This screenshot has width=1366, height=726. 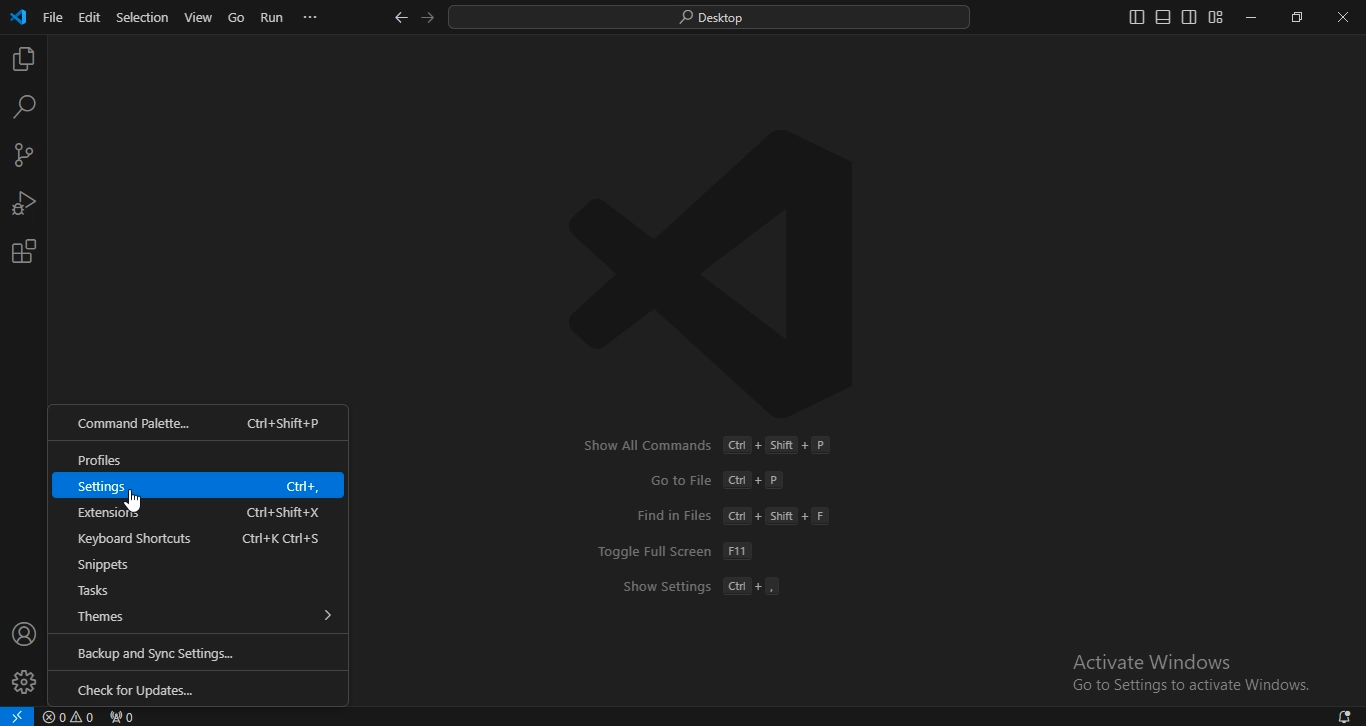 What do you see at coordinates (734, 516) in the screenshot?
I see `text` at bounding box center [734, 516].